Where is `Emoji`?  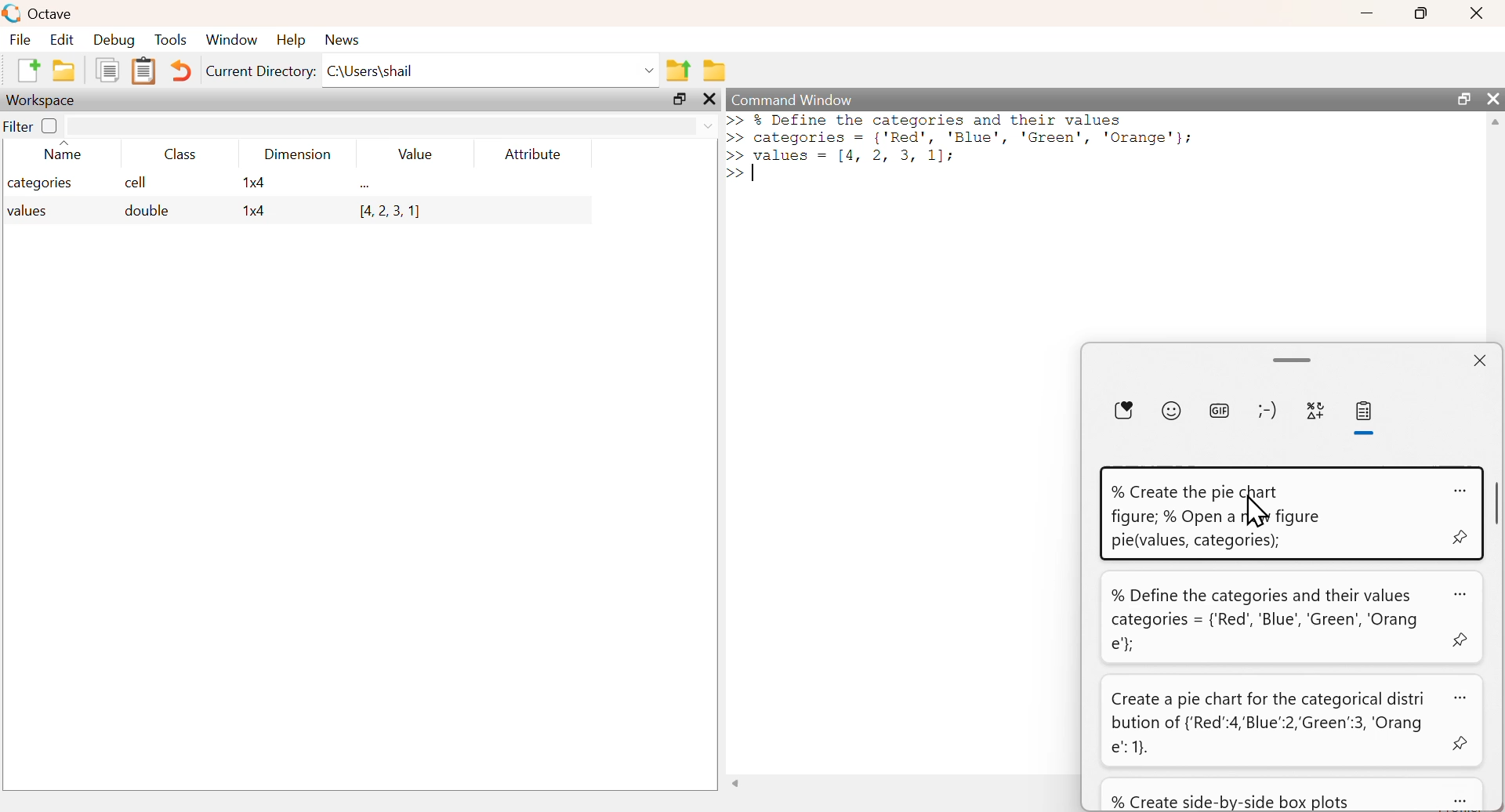
Emoji is located at coordinates (1170, 410).